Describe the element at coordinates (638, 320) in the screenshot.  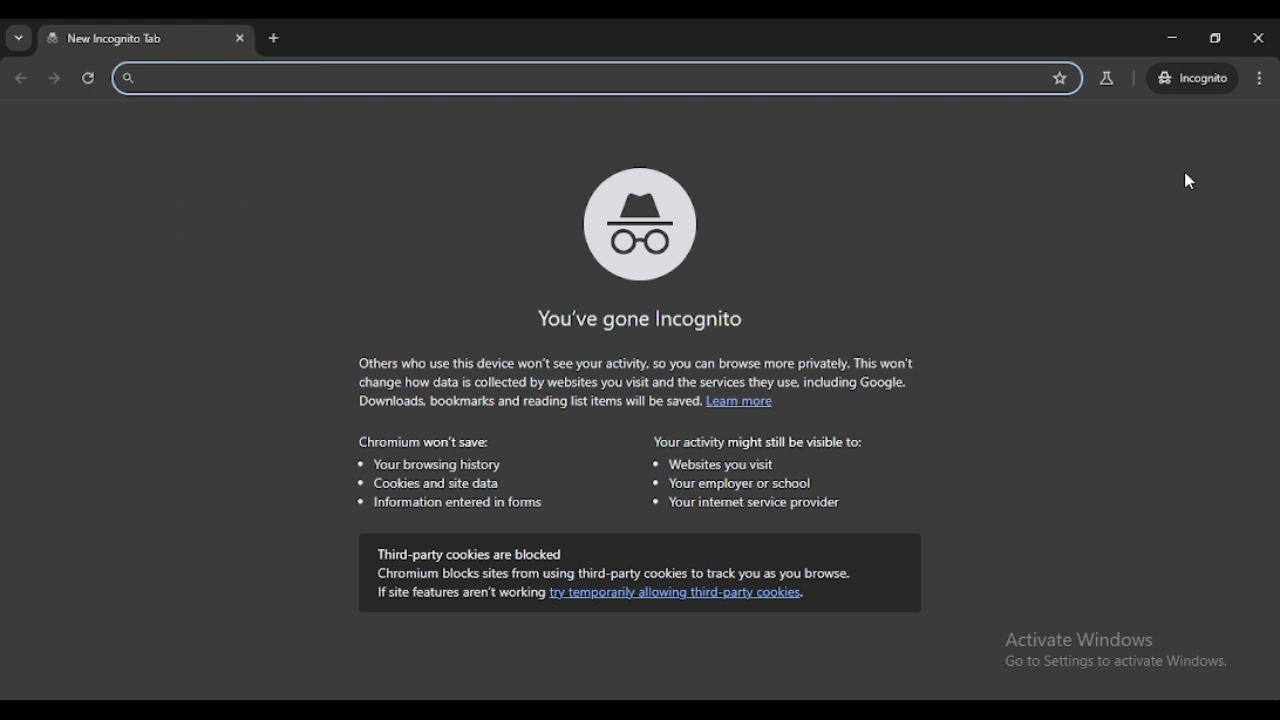
I see `you've gone incognito` at that location.